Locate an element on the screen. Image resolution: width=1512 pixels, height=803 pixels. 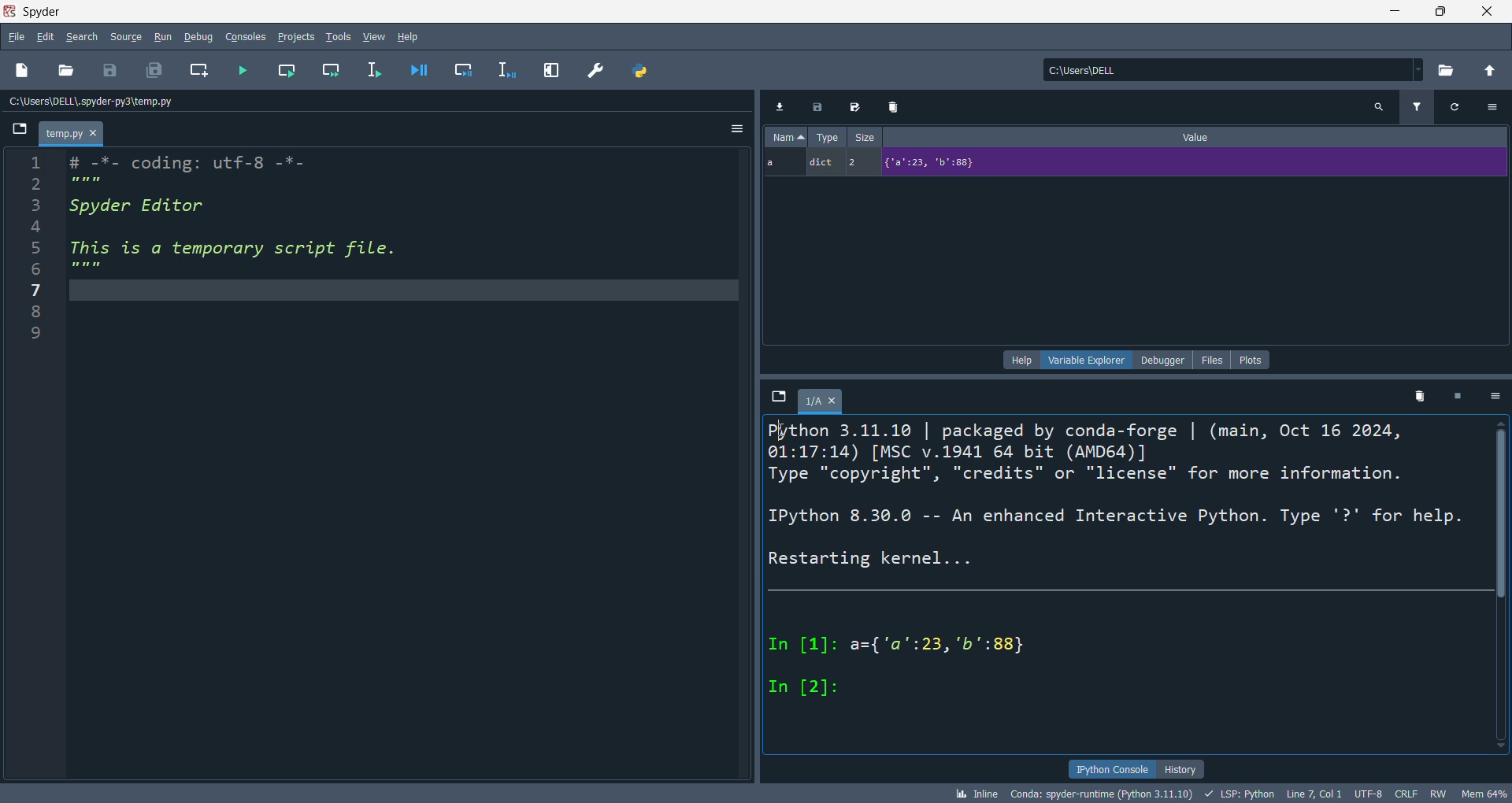
new cell is located at coordinates (202, 71).